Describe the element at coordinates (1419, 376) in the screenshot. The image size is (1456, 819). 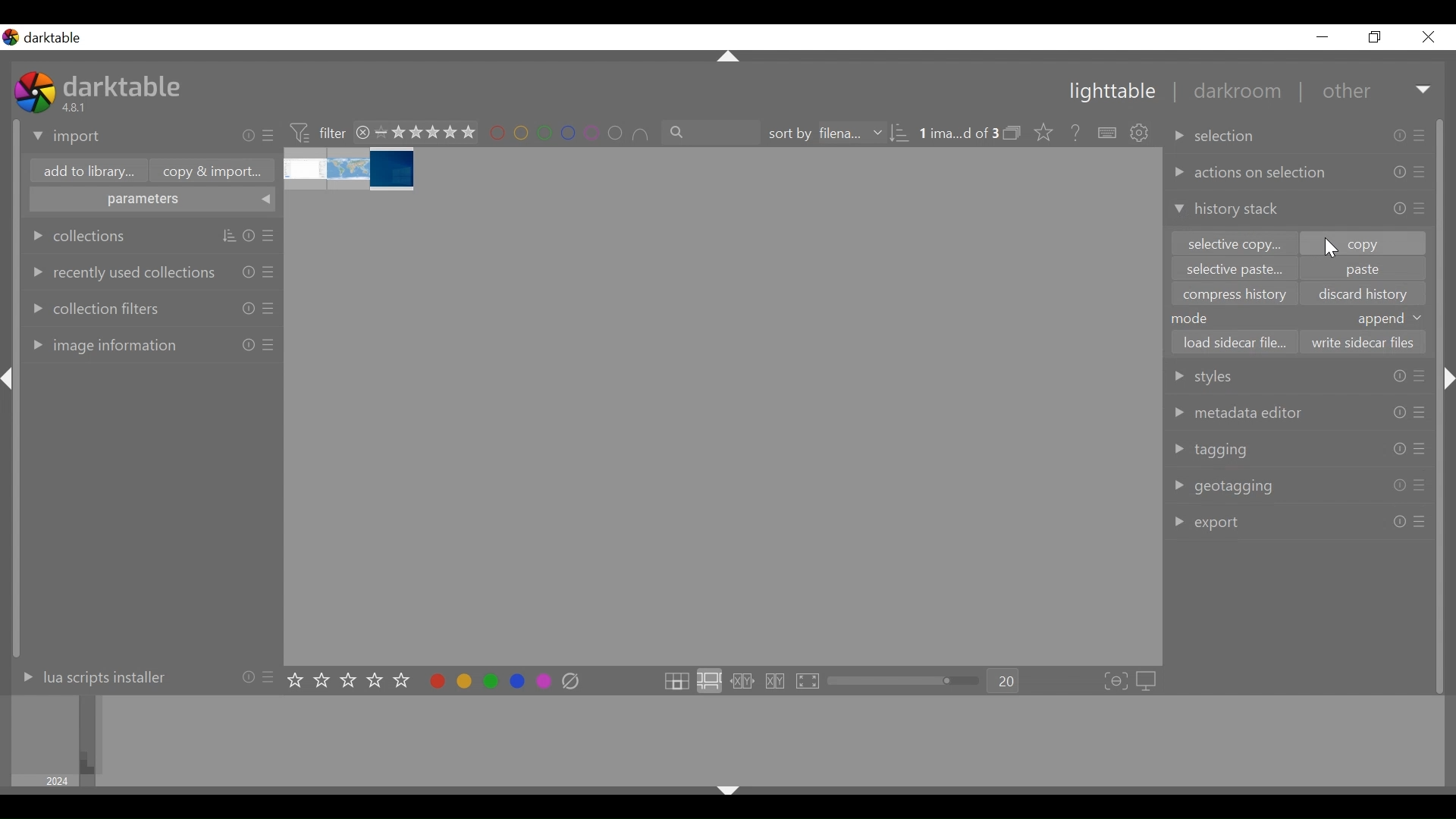
I see `presets` at that location.